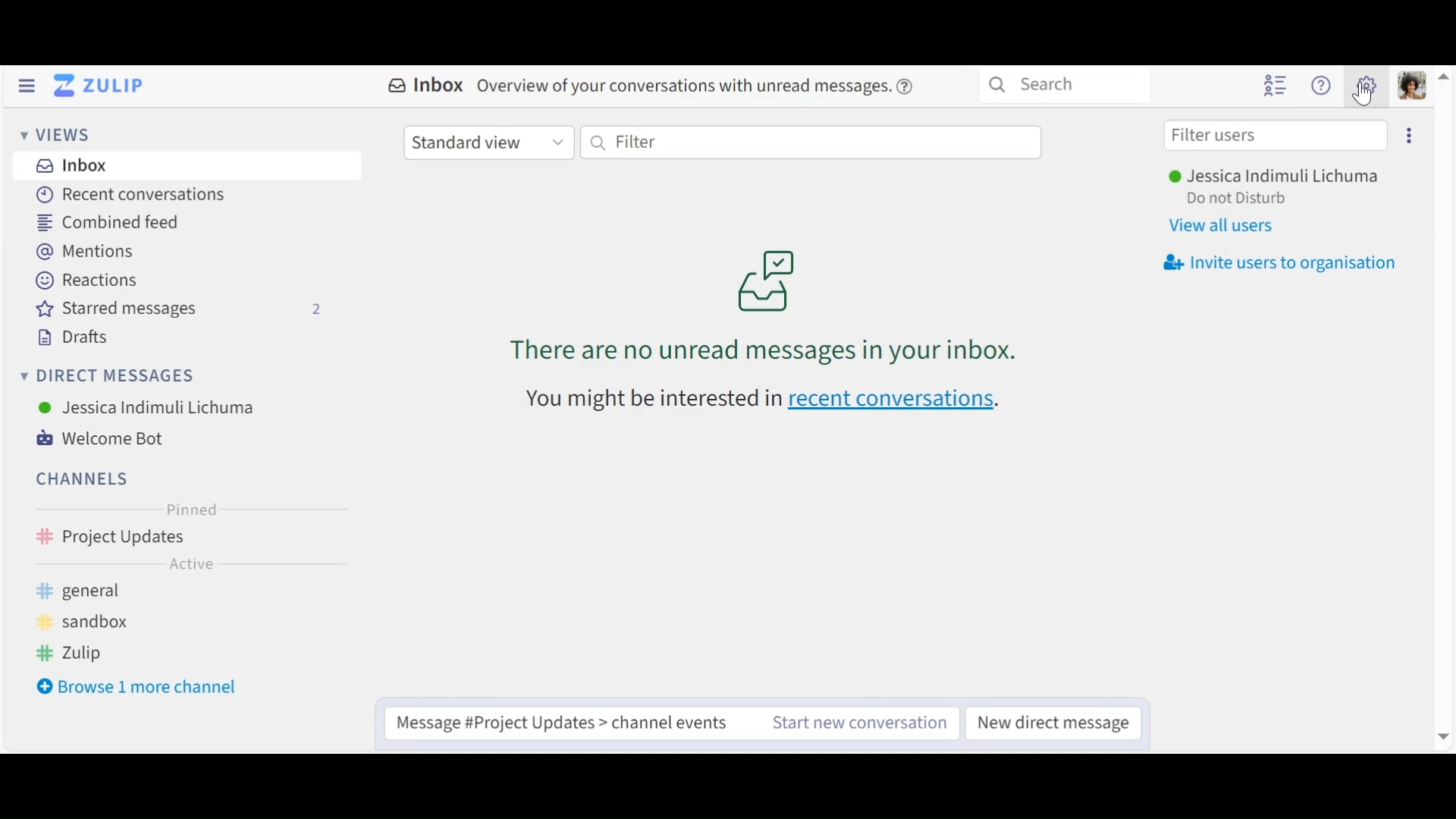  I want to click on Starred messages, so click(184, 311).